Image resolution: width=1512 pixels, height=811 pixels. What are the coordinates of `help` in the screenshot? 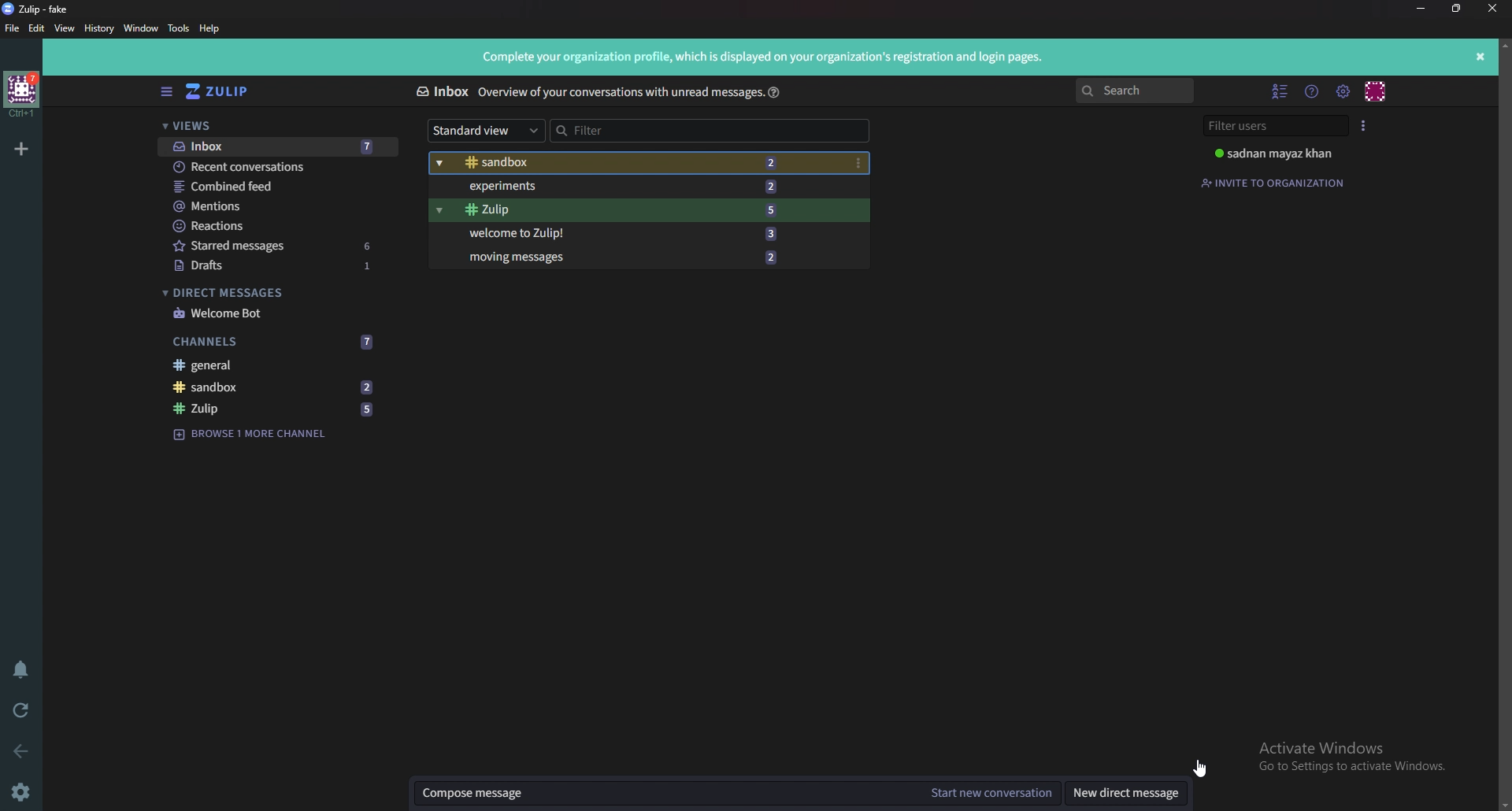 It's located at (777, 94).